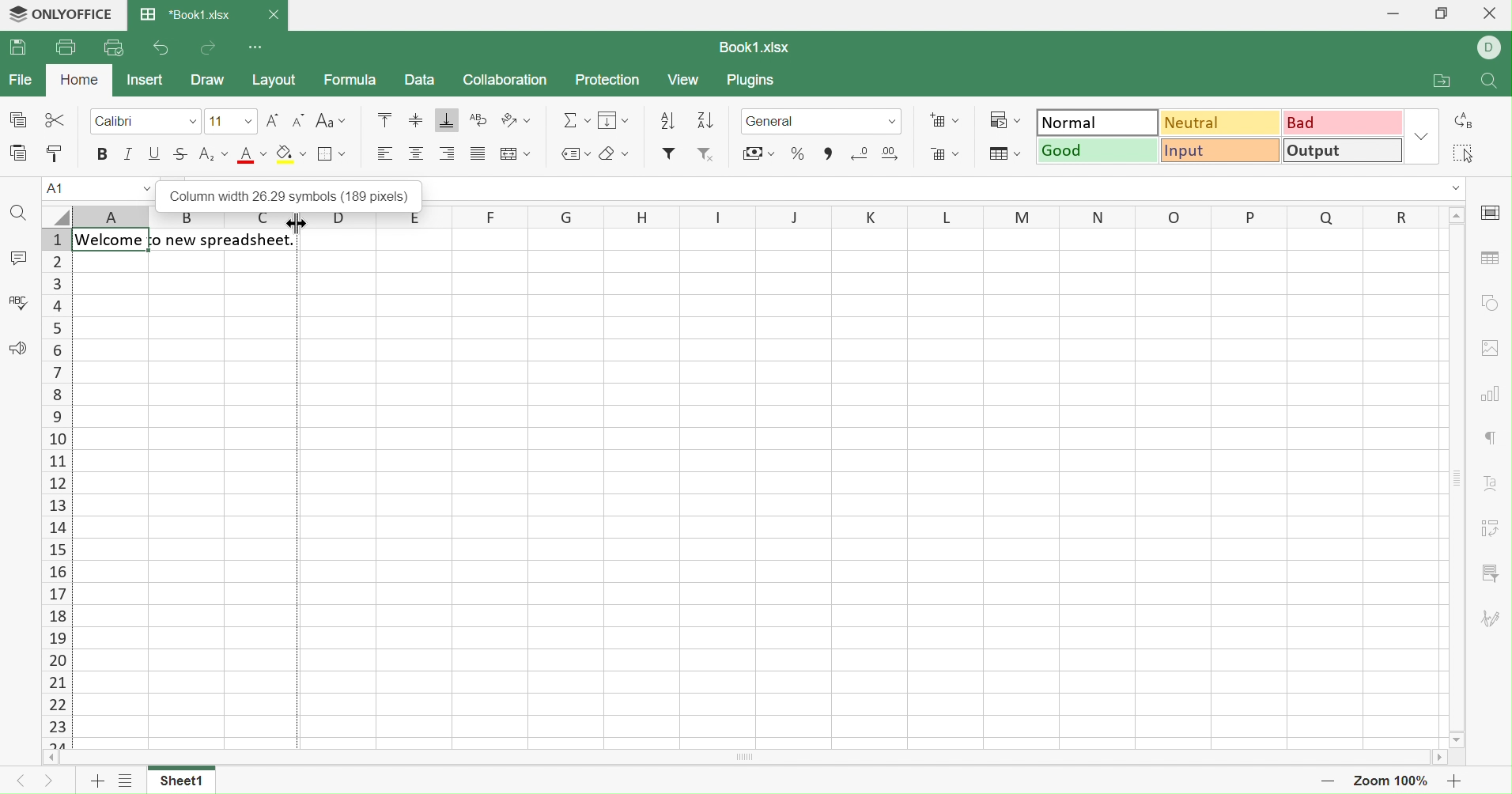  Describe the element at coordinates (19, 49) in the screenshot. I see `Save` at that location.